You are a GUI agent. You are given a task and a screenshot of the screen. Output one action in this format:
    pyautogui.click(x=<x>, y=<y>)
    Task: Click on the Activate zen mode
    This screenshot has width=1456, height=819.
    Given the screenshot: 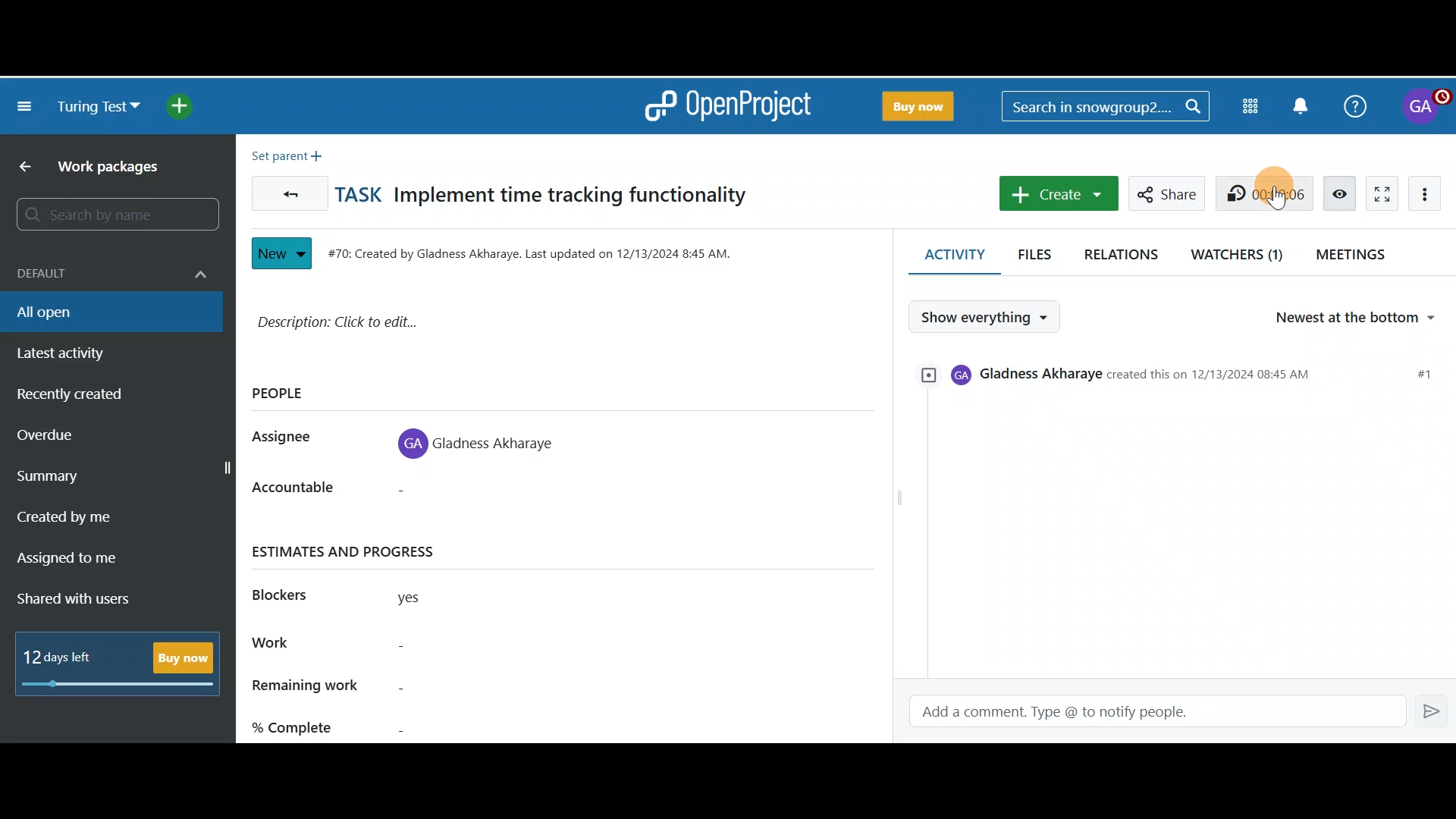 What is the action you would take?
    pyautogui.click(x=1378, y=191)
    